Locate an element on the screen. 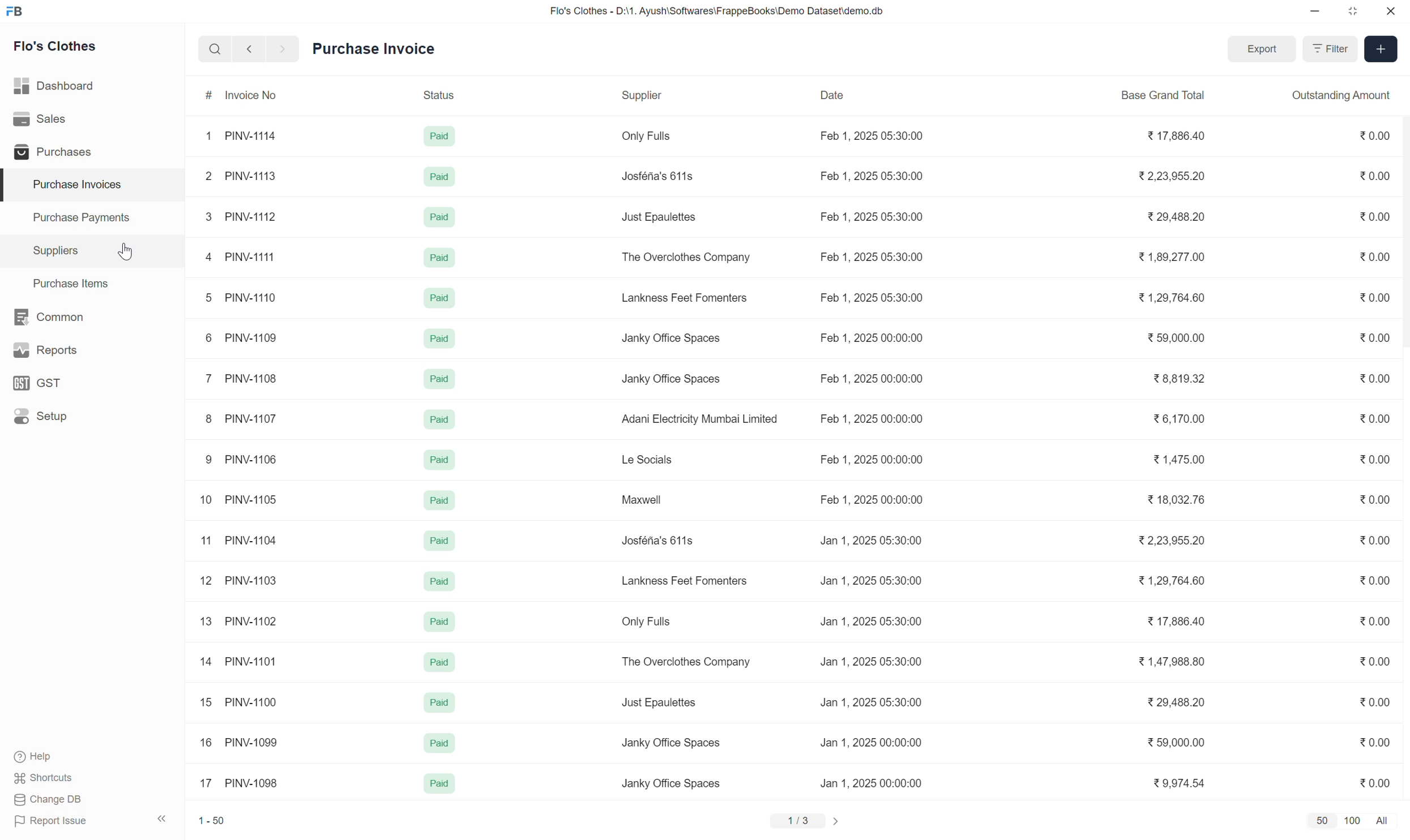  Date is located at coordinates (873, 96).